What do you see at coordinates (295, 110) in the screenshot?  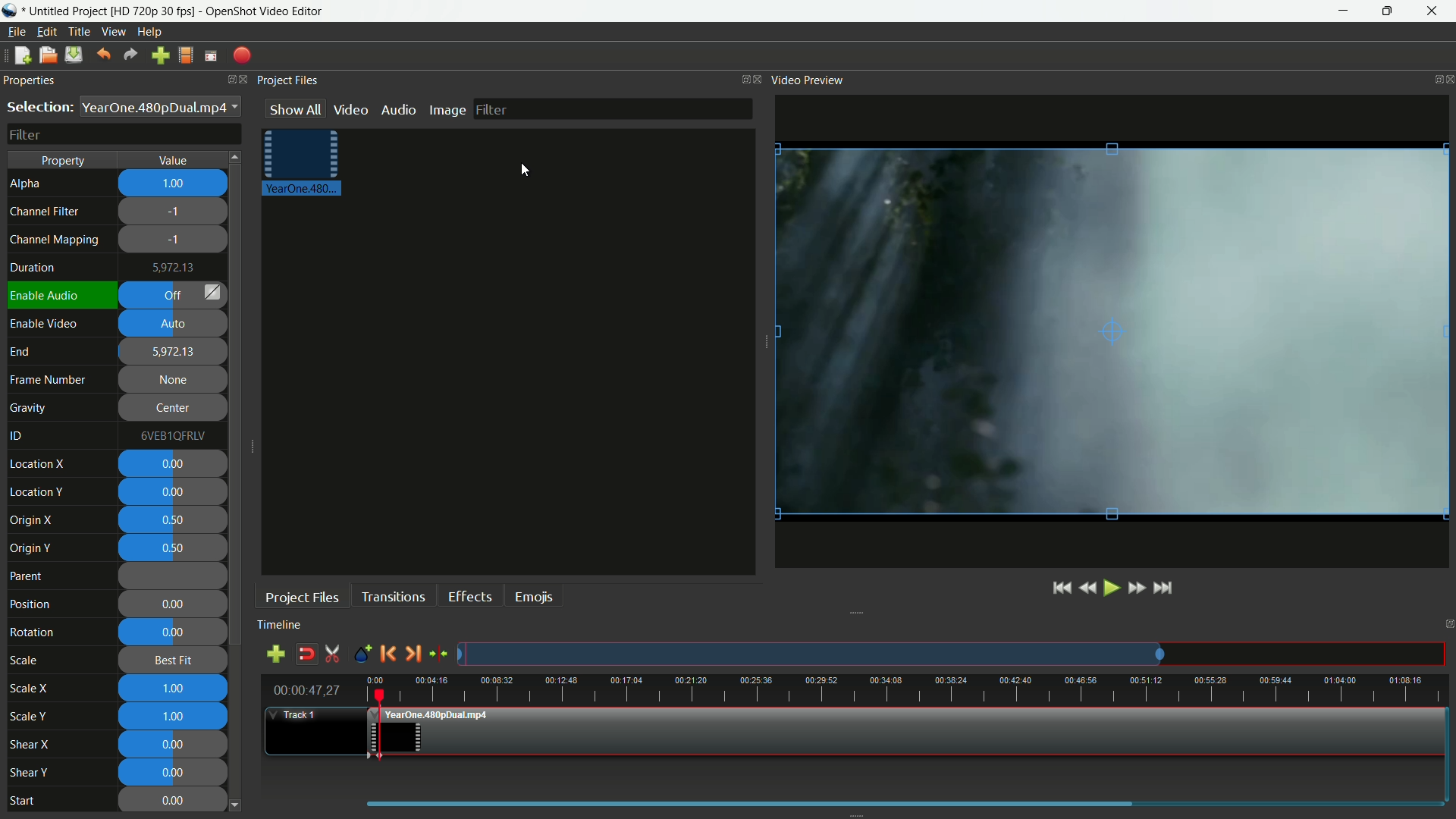 I see `show all` at bounding box center [295, 110].